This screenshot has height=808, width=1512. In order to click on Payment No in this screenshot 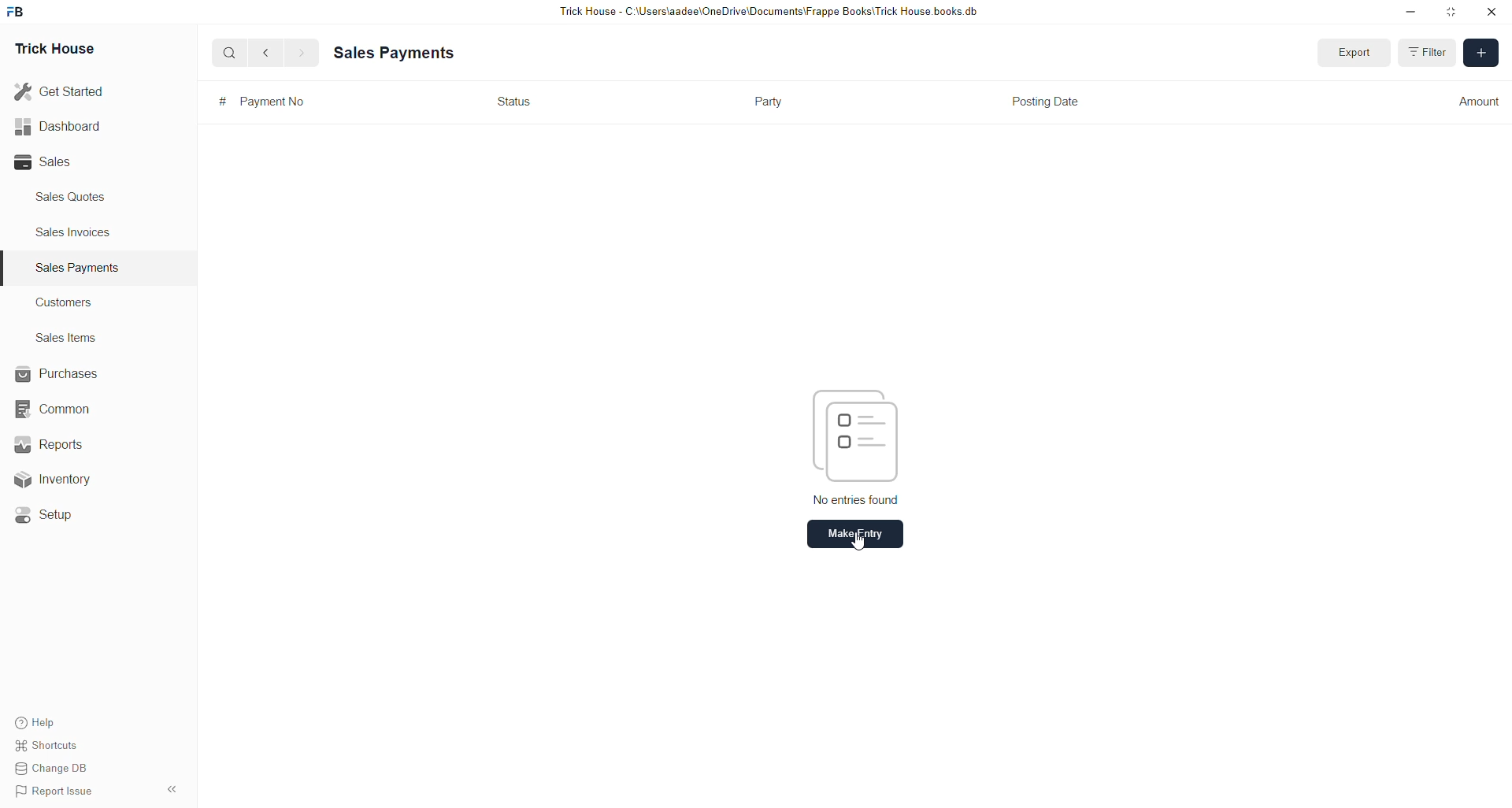, I will do `click(273, 102)`.